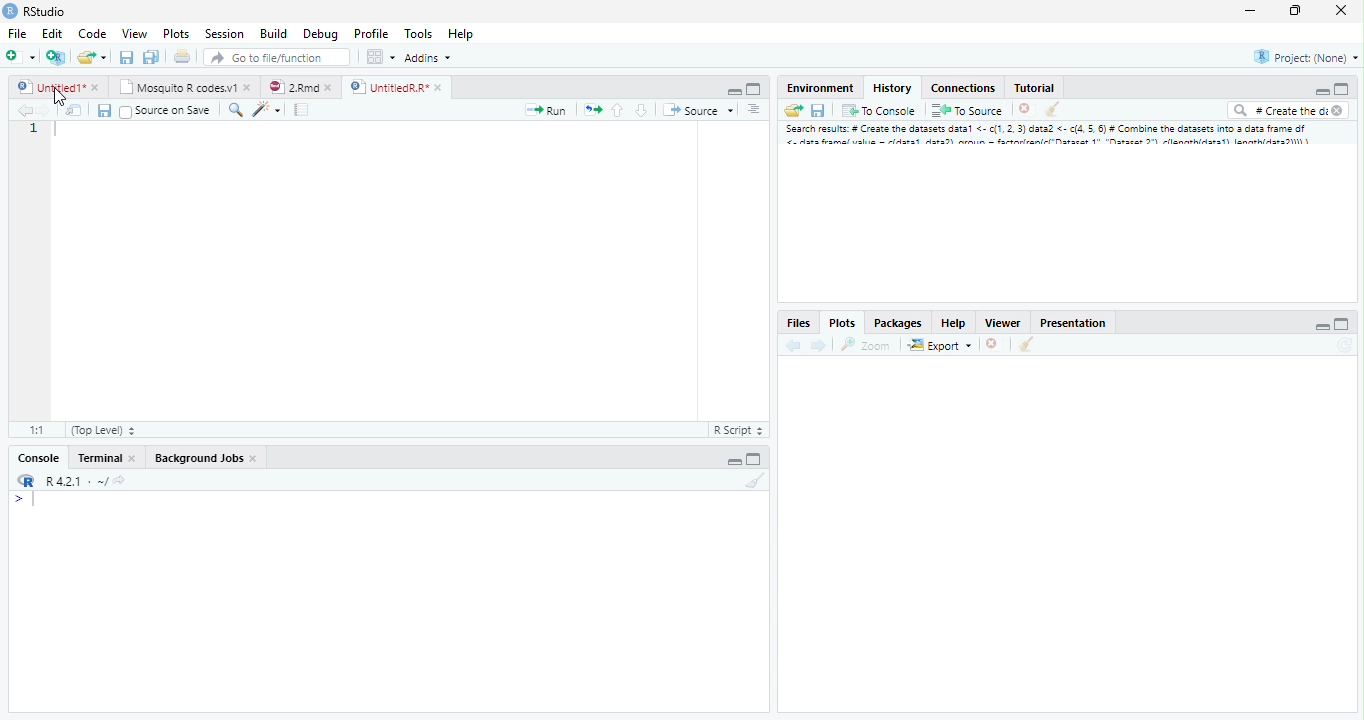 Image resolution: width=1364 pixels, height=720 pixels. Describe the element at coordinates (822, 109) in the screenshot. I see `Save` at that location.